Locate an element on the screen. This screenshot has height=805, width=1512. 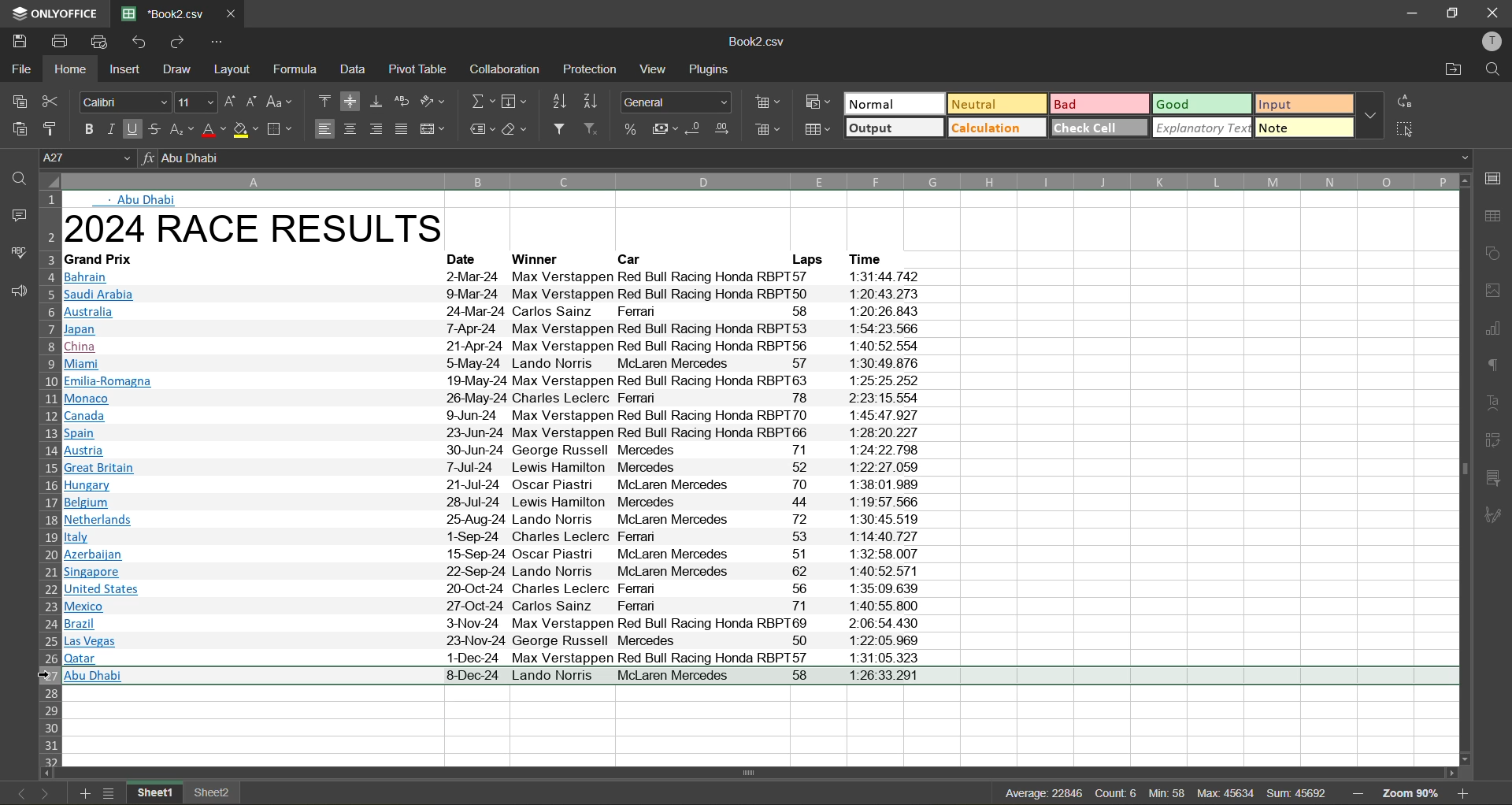
formula is located at coordinates (302, 70).